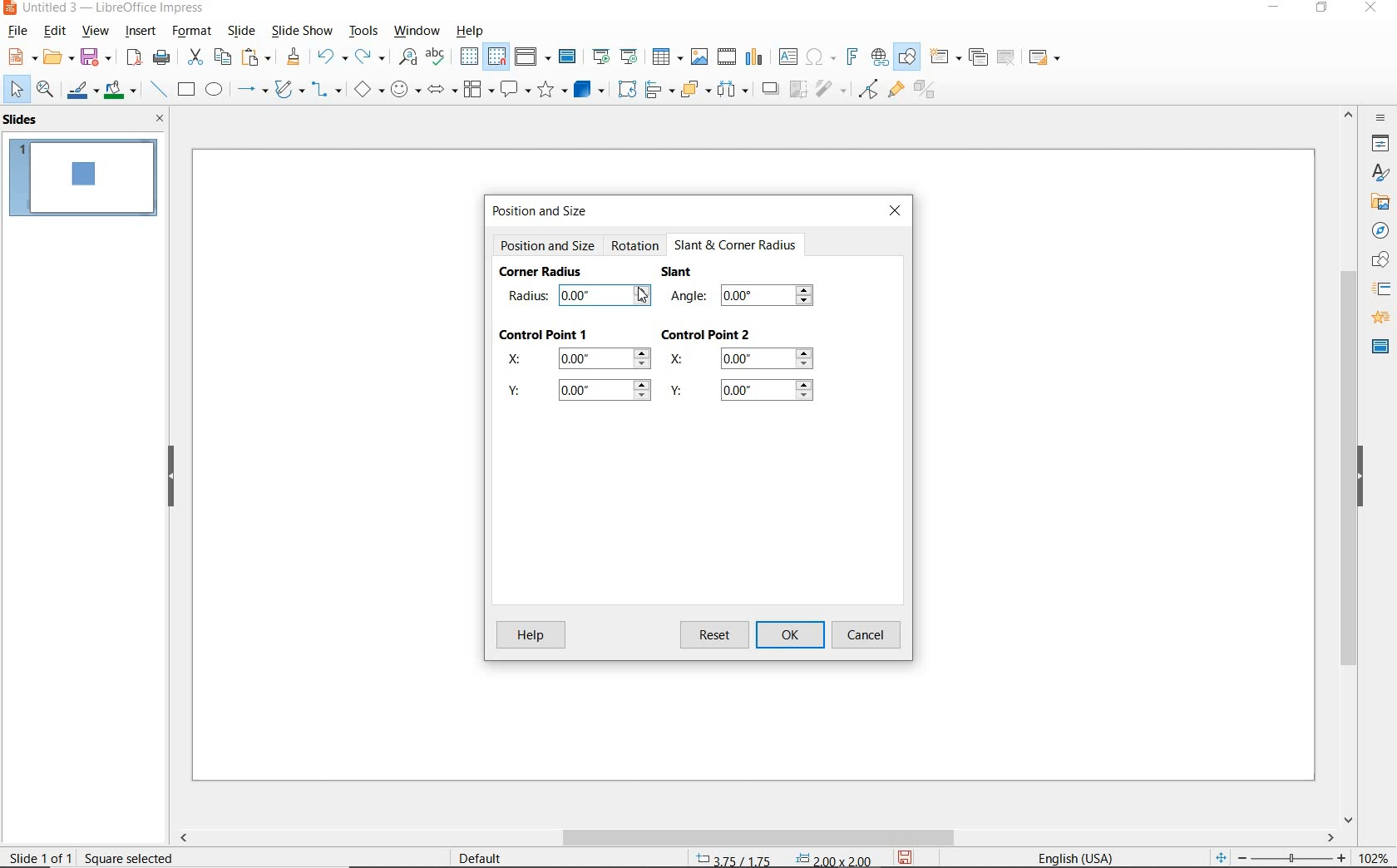  Describe the element at coordinates (545, 211) in the screenshot. I see `POSITION AND SIZE` at that location.